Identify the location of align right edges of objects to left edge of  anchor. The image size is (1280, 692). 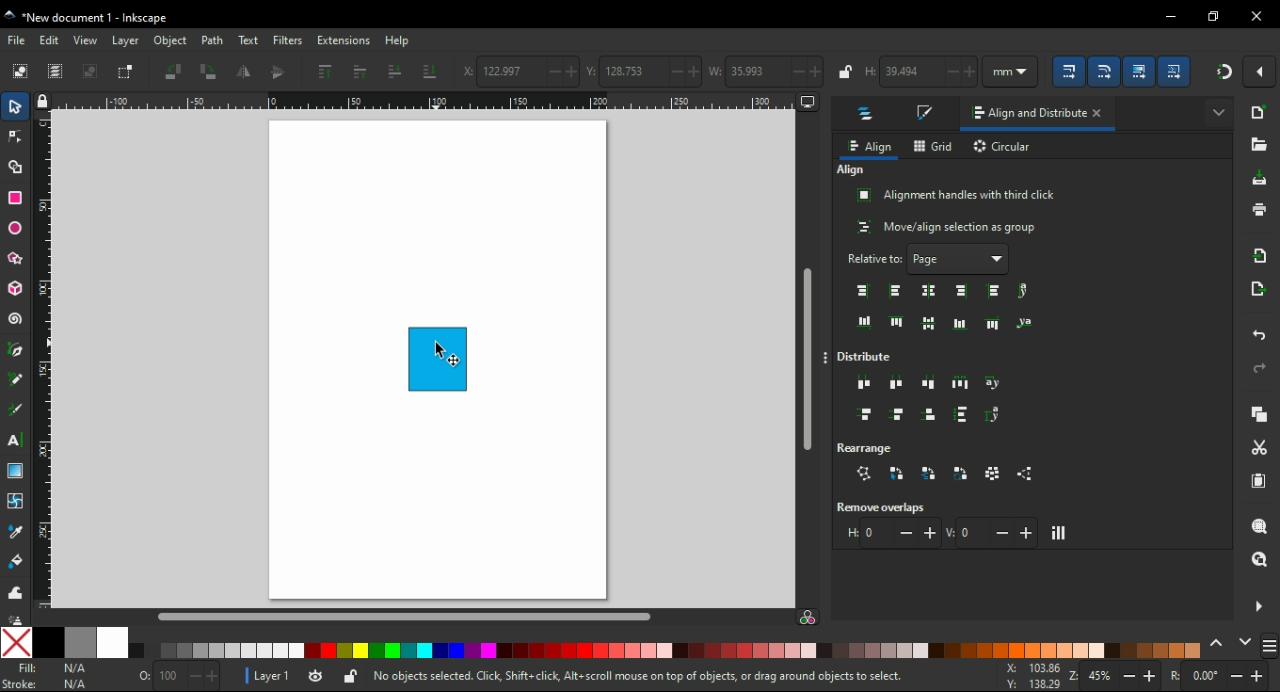
(863, 290).